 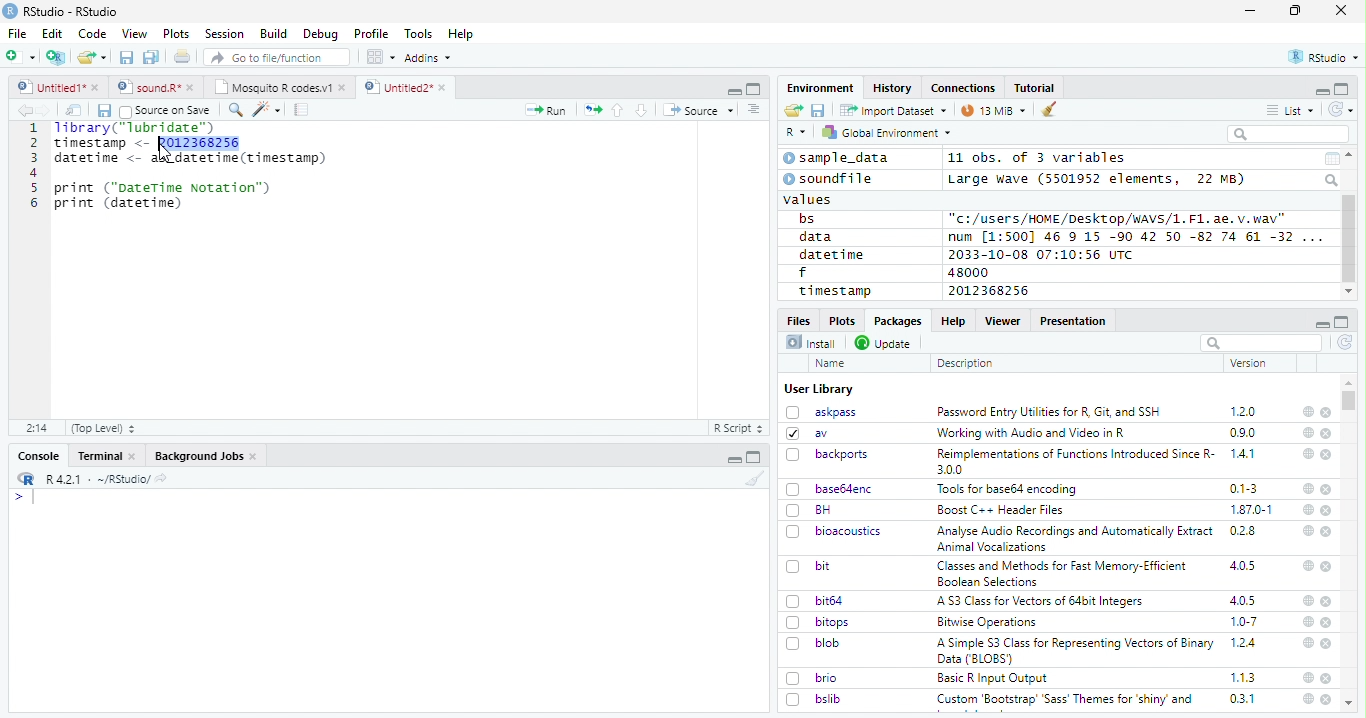 What do you see at coordinates (1308, 489) in the screenshot?
I see `help` at bounding box center [1308, 489].